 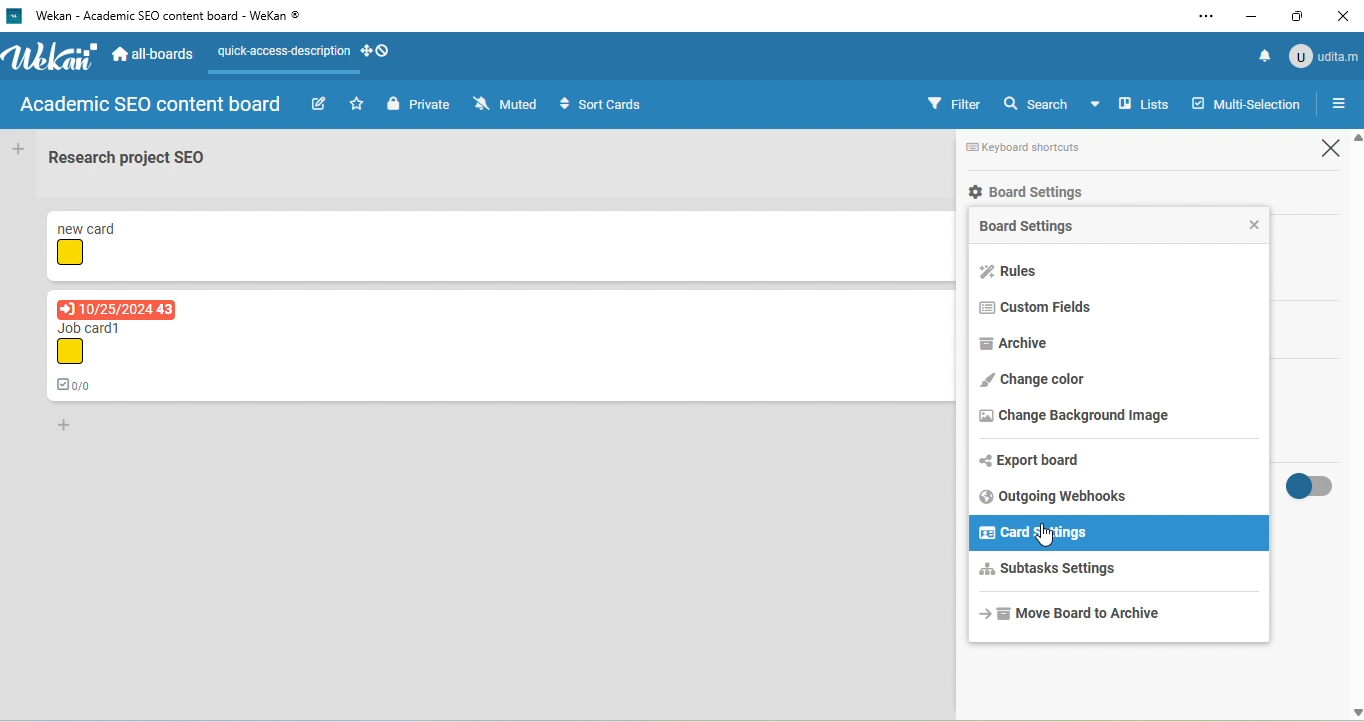 What do you see at coordinates (1052, 107) in the screenshot?
I see `search` at bounding box center [1052, 107].